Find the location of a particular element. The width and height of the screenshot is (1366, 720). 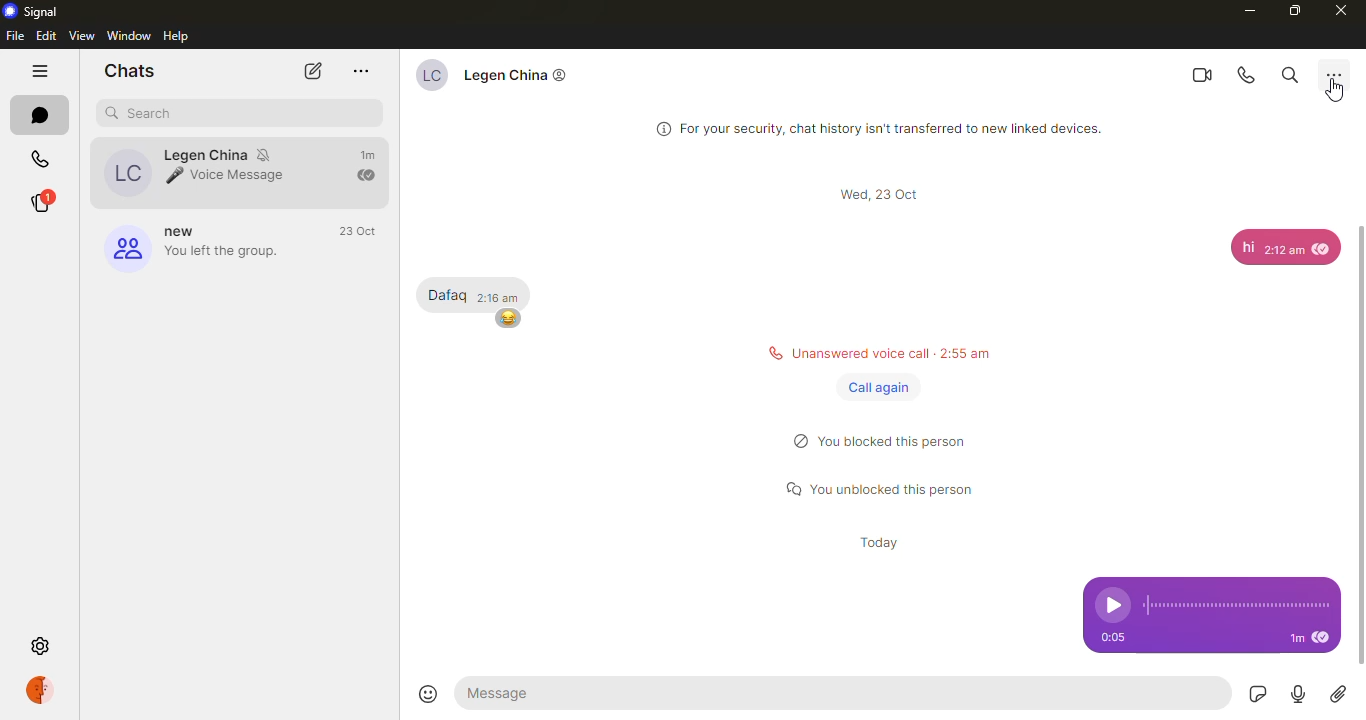

time is located at coordinates (502, 298).